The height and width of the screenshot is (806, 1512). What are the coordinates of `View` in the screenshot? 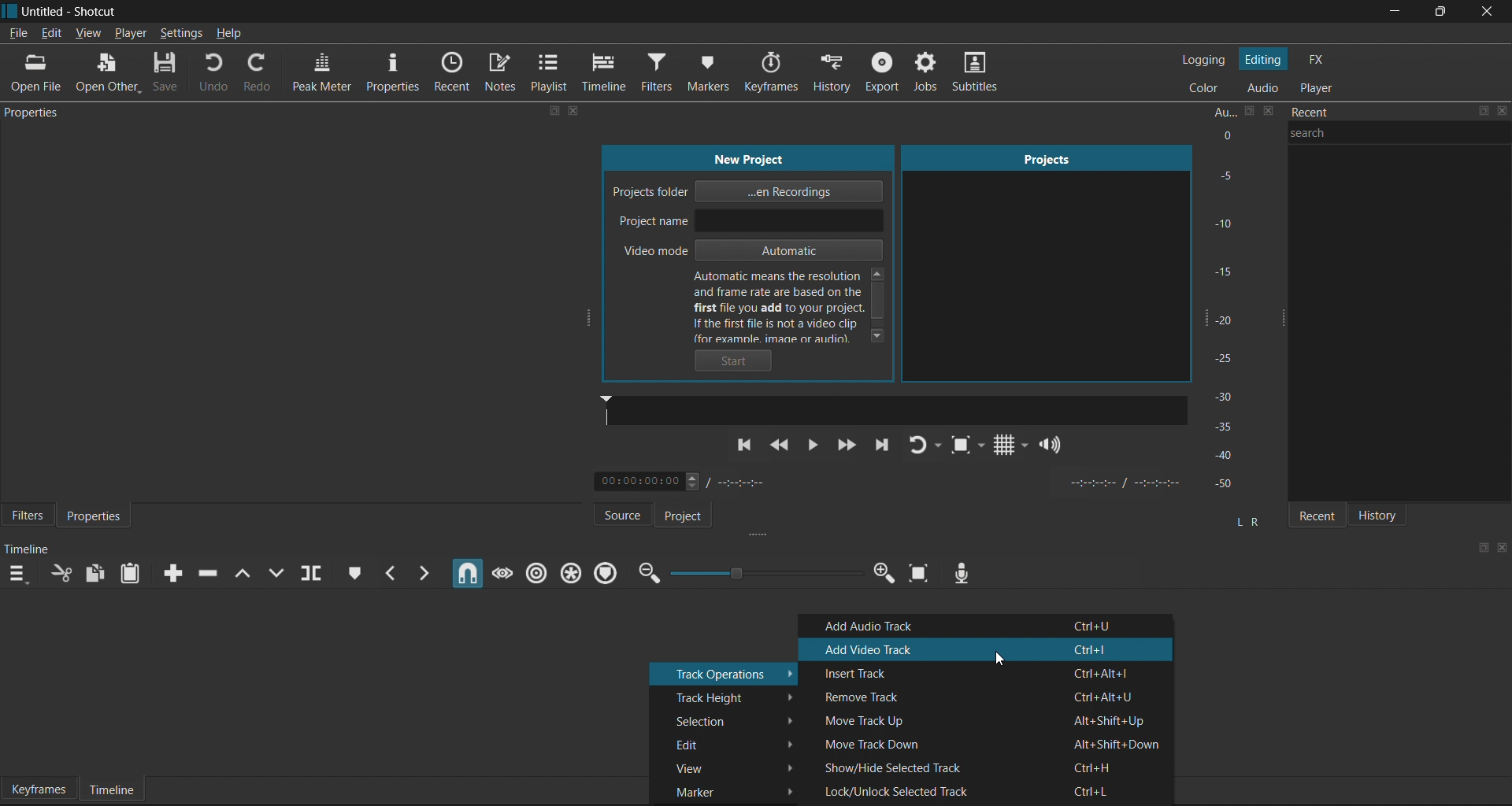 It's located at (726, 763).